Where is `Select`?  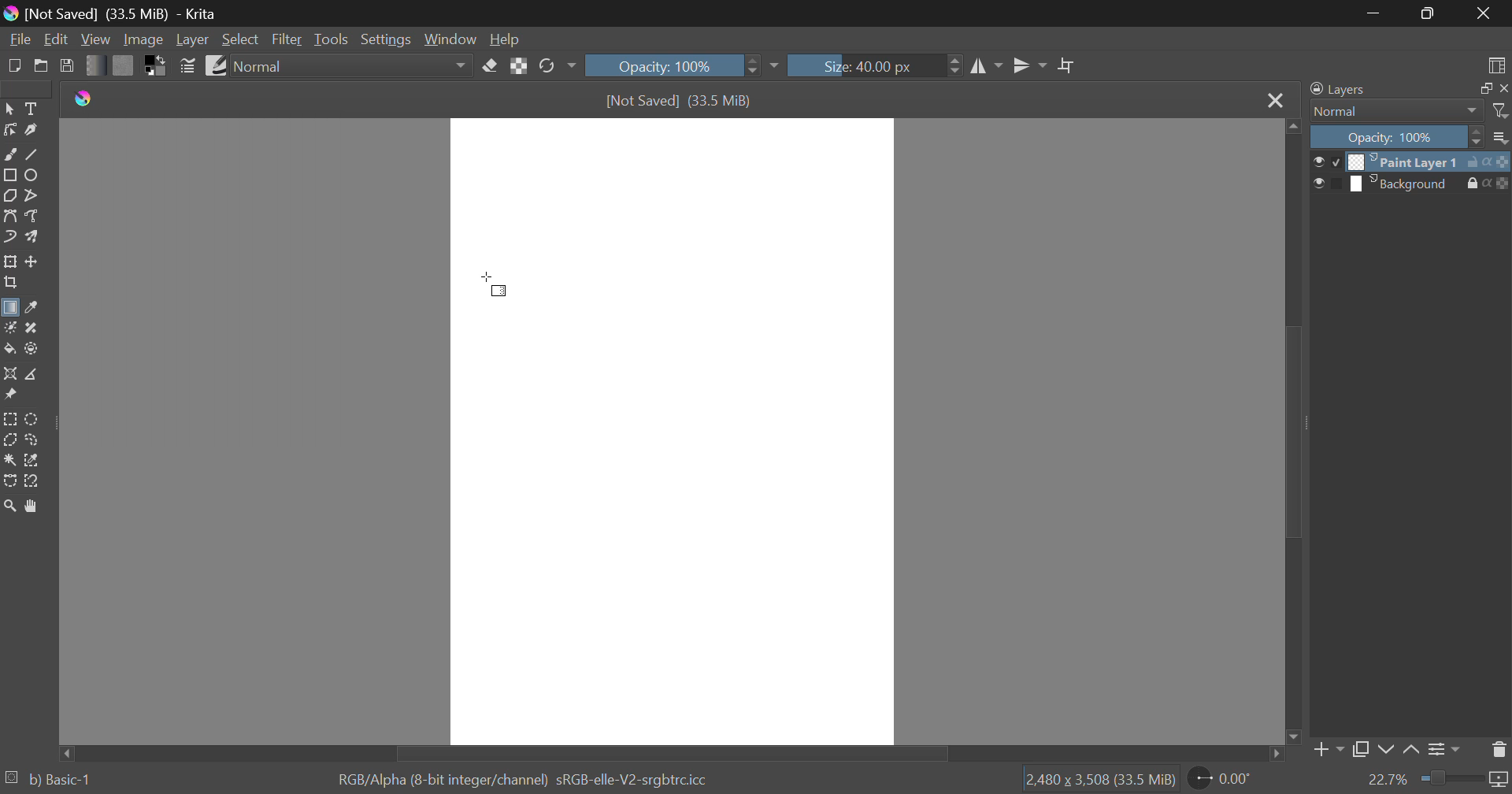
Select is located at coordinates (9, 107).